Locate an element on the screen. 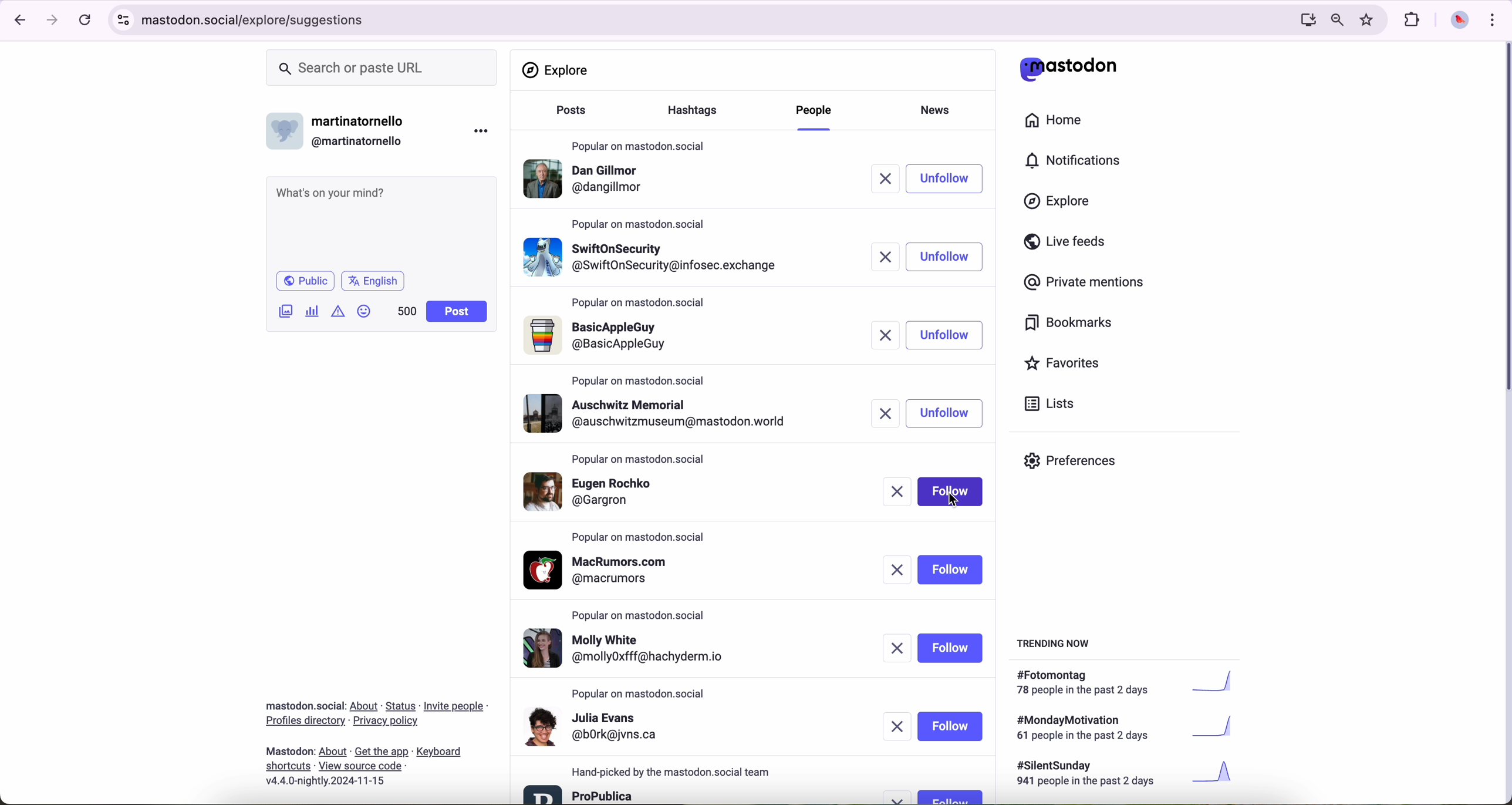  profile is located at coordinates (654, 254).